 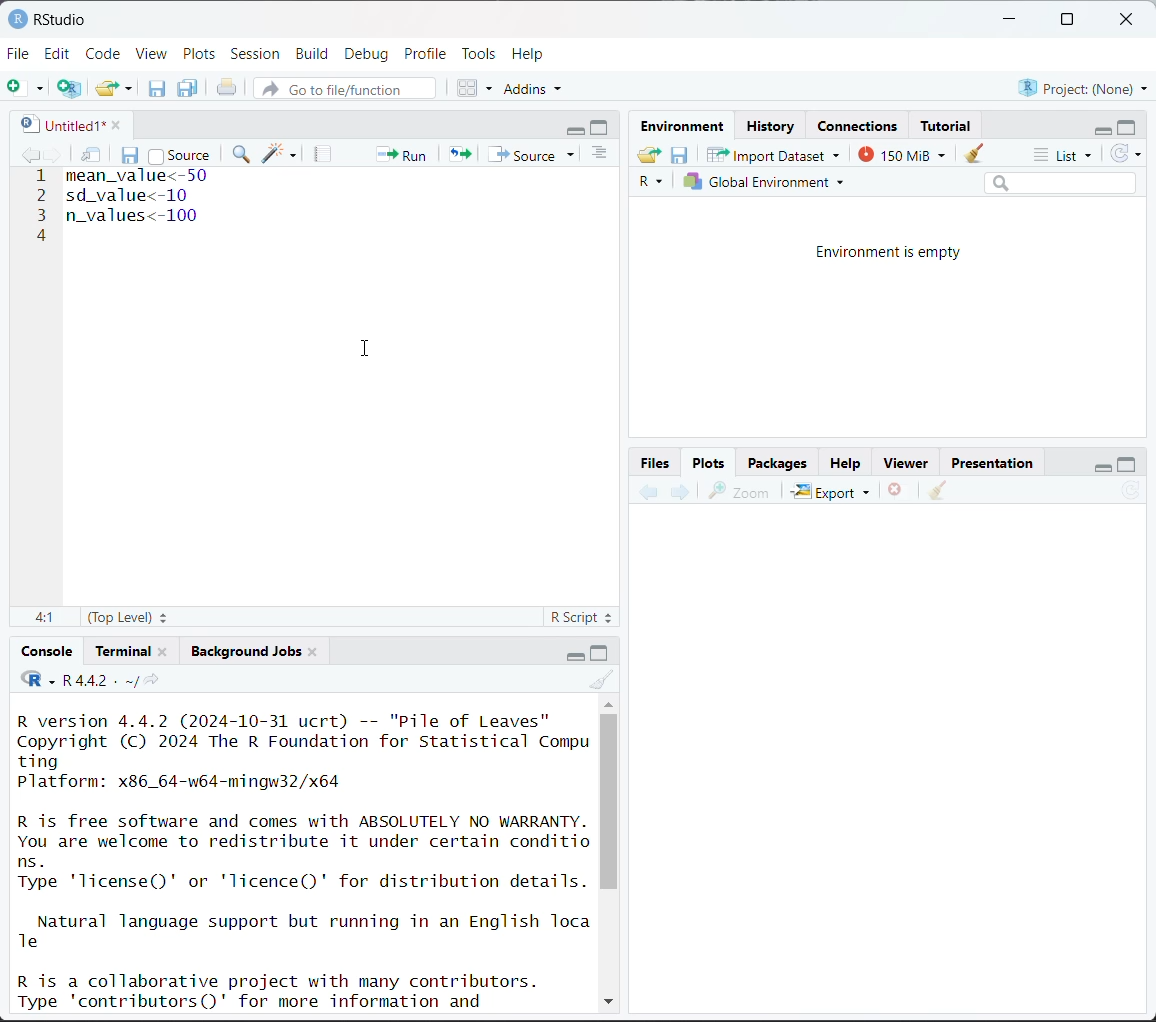 What do you see at coordinates (428, 52) in the screenshot?
I see `Profile` at bounding box center [428, 52].